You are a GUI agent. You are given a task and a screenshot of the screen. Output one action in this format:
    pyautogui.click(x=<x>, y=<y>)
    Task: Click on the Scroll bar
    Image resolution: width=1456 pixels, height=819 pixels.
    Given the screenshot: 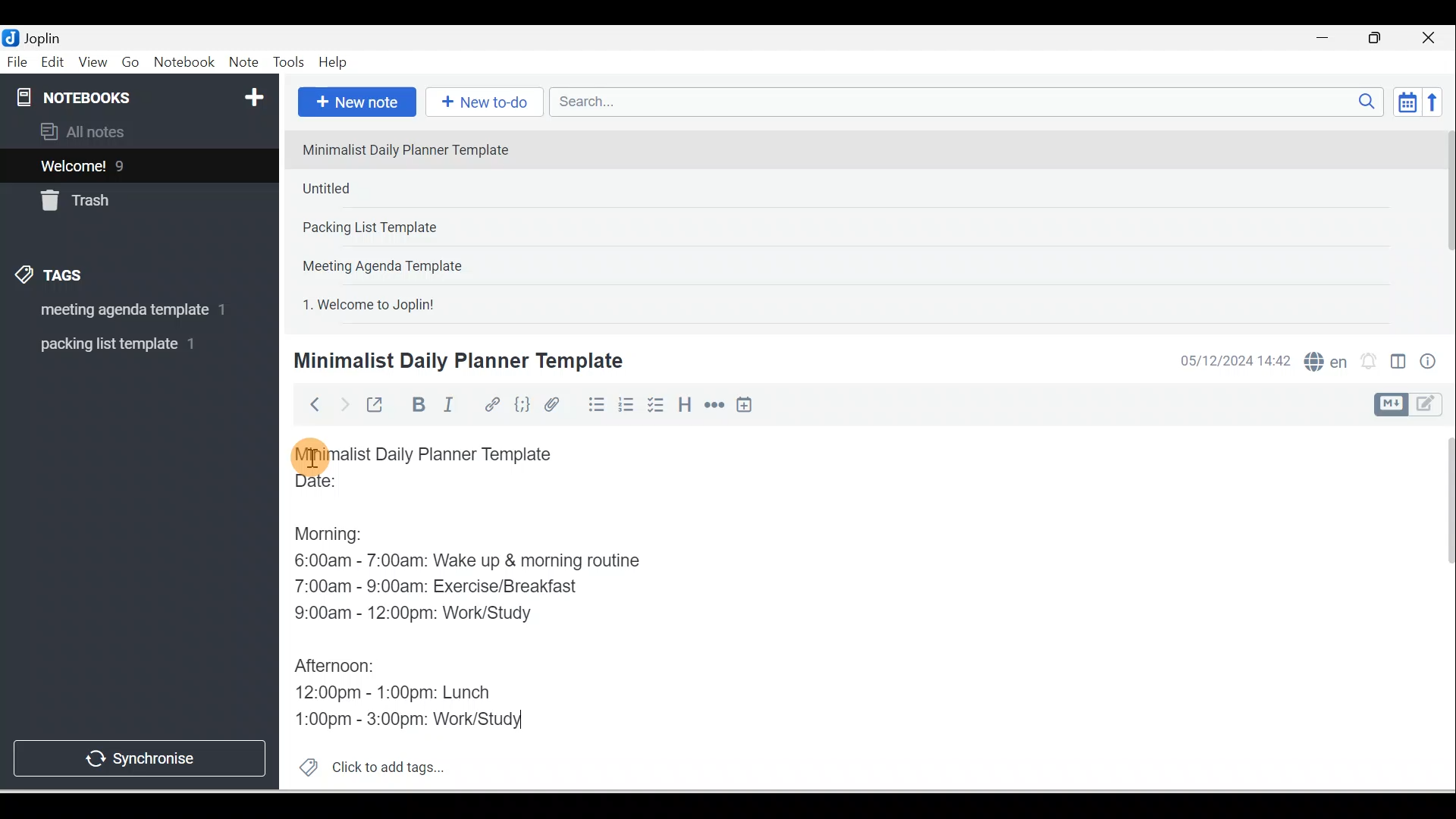 What is the action you would take?
    pyautogui.click(x=1439, y=608)
    